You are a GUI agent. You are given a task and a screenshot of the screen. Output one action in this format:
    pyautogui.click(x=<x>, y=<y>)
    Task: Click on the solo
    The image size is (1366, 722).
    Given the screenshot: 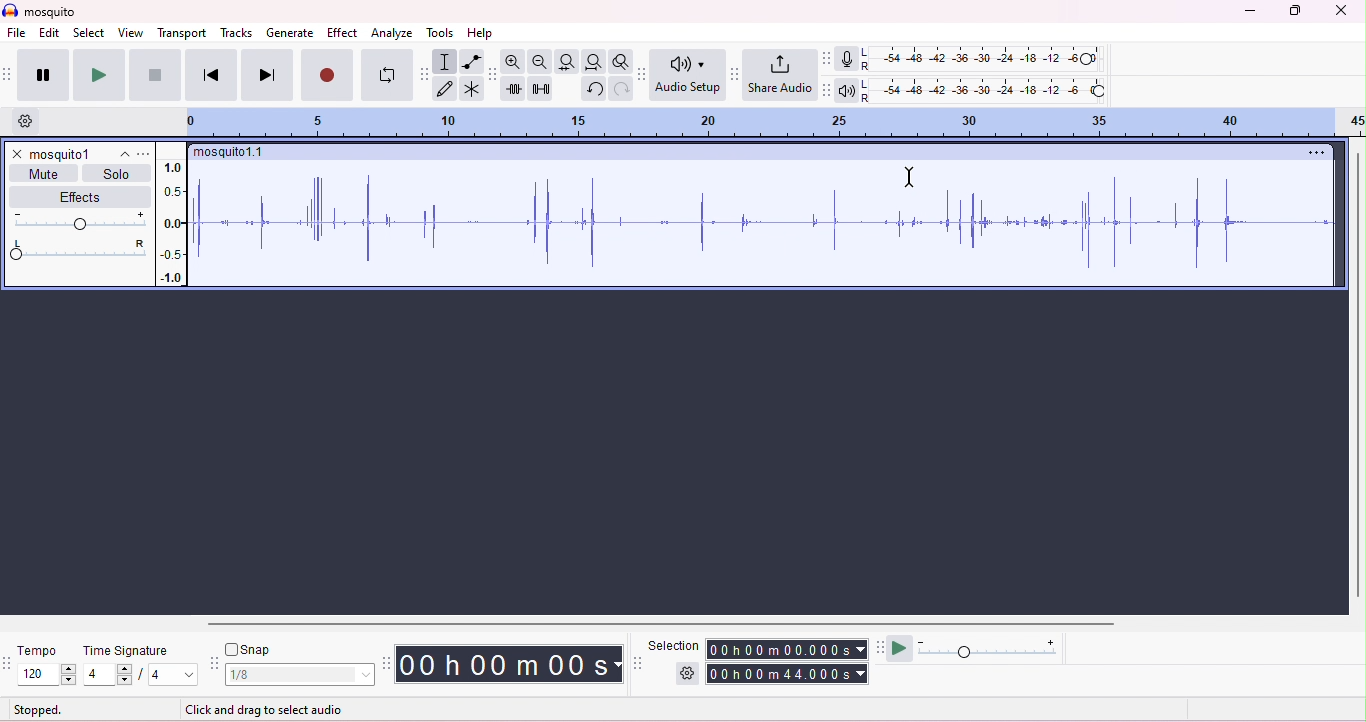 What is the action you would take?
    pyautogui.click(x=116, y=174)
    